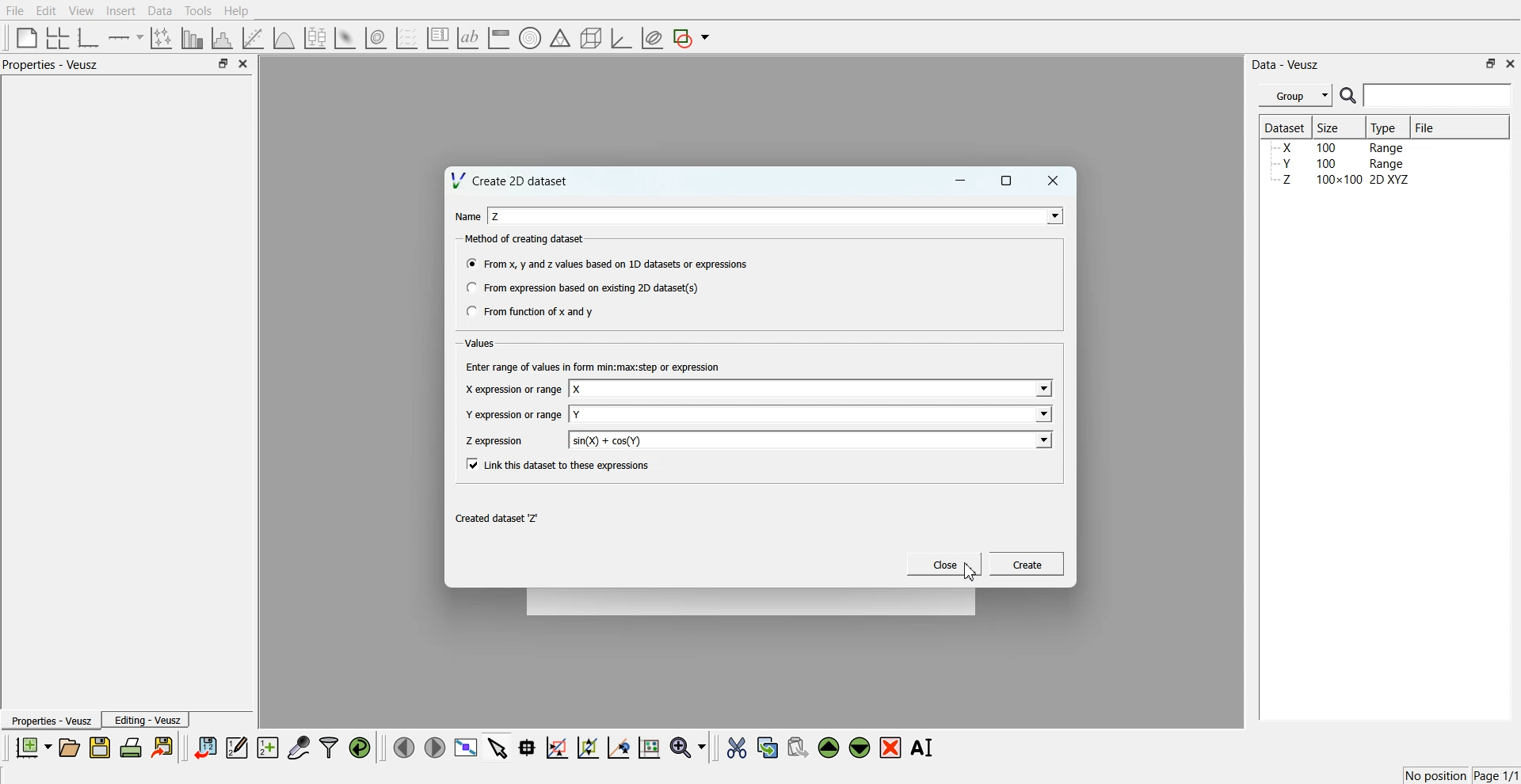  I want to click on Open the document, so click(68, 748).